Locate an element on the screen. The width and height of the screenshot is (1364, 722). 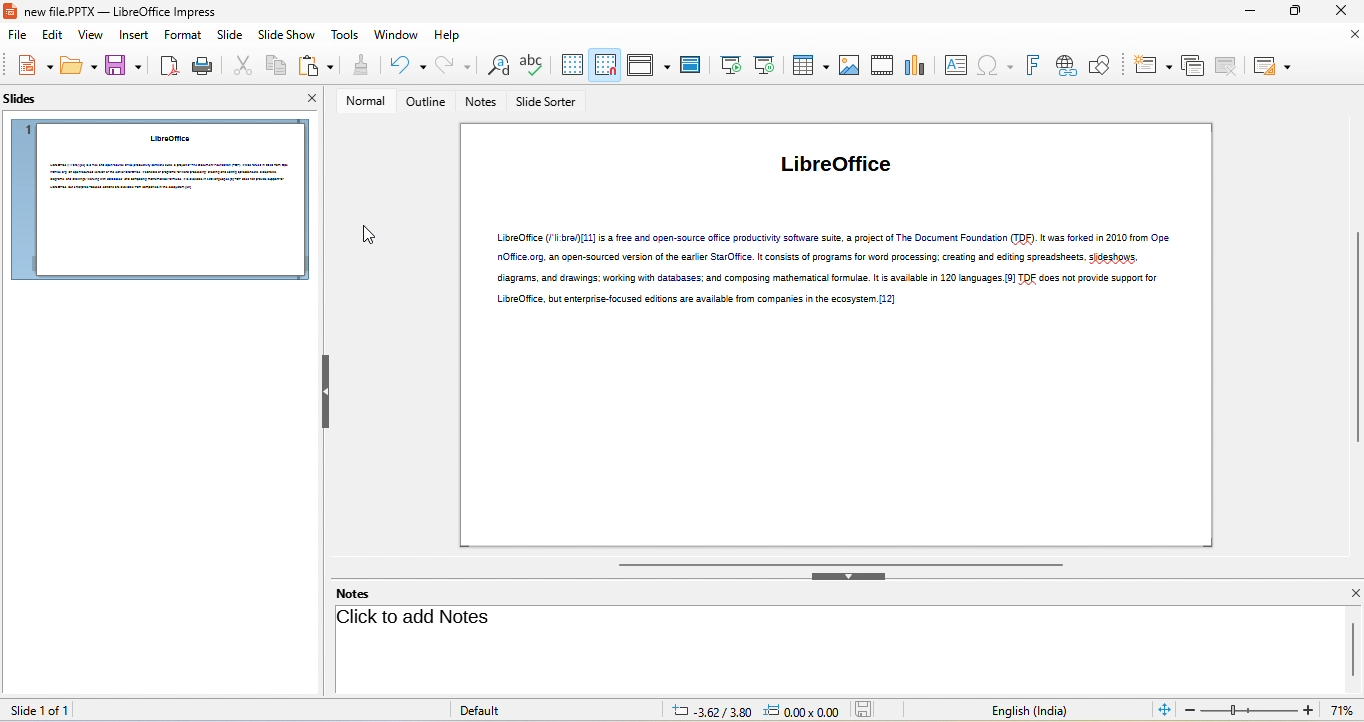
cursor is located at coordinates (370, 236).